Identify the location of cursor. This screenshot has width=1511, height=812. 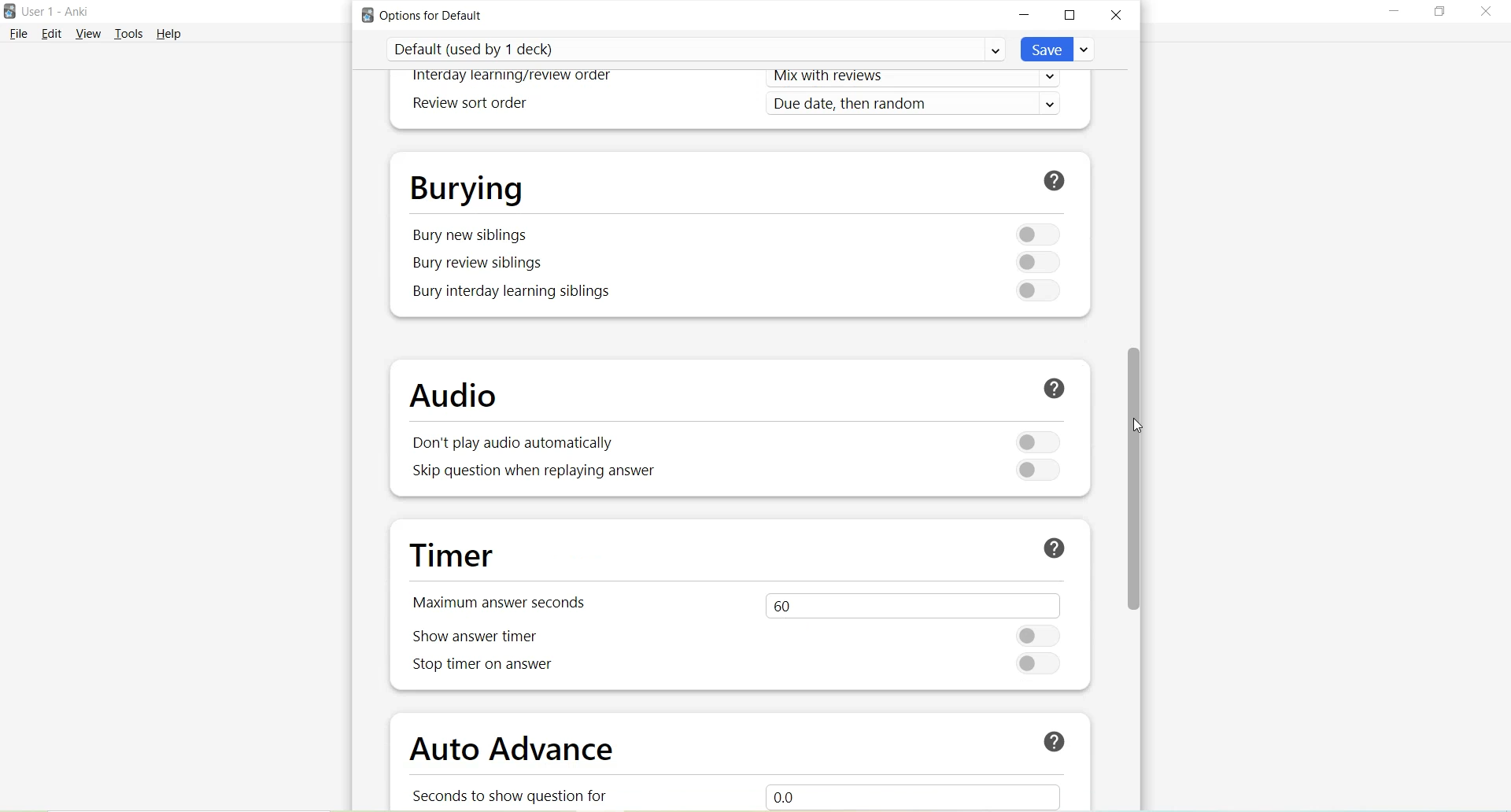
(1135, 424).